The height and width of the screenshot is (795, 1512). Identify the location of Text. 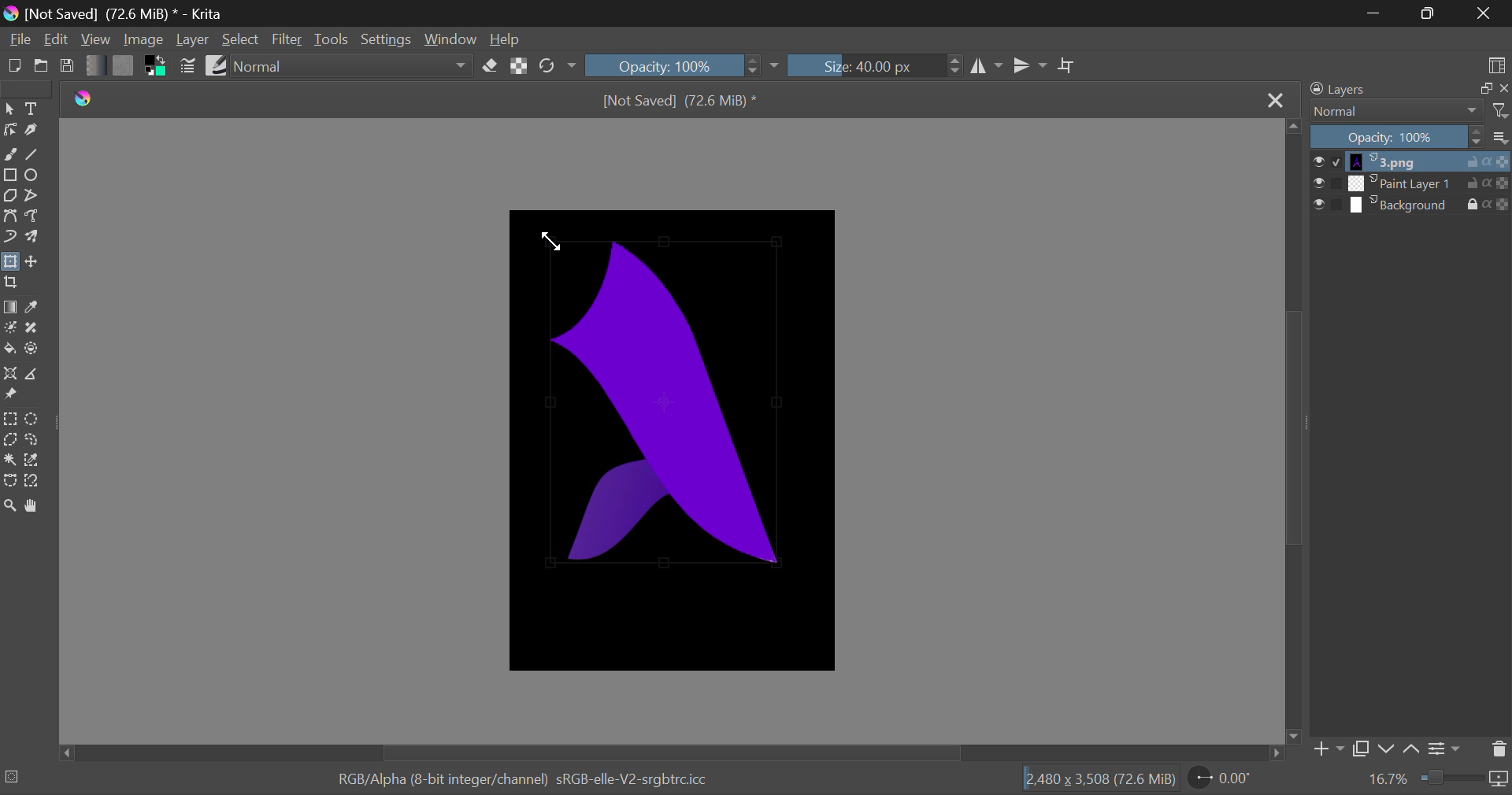
(32, 109).